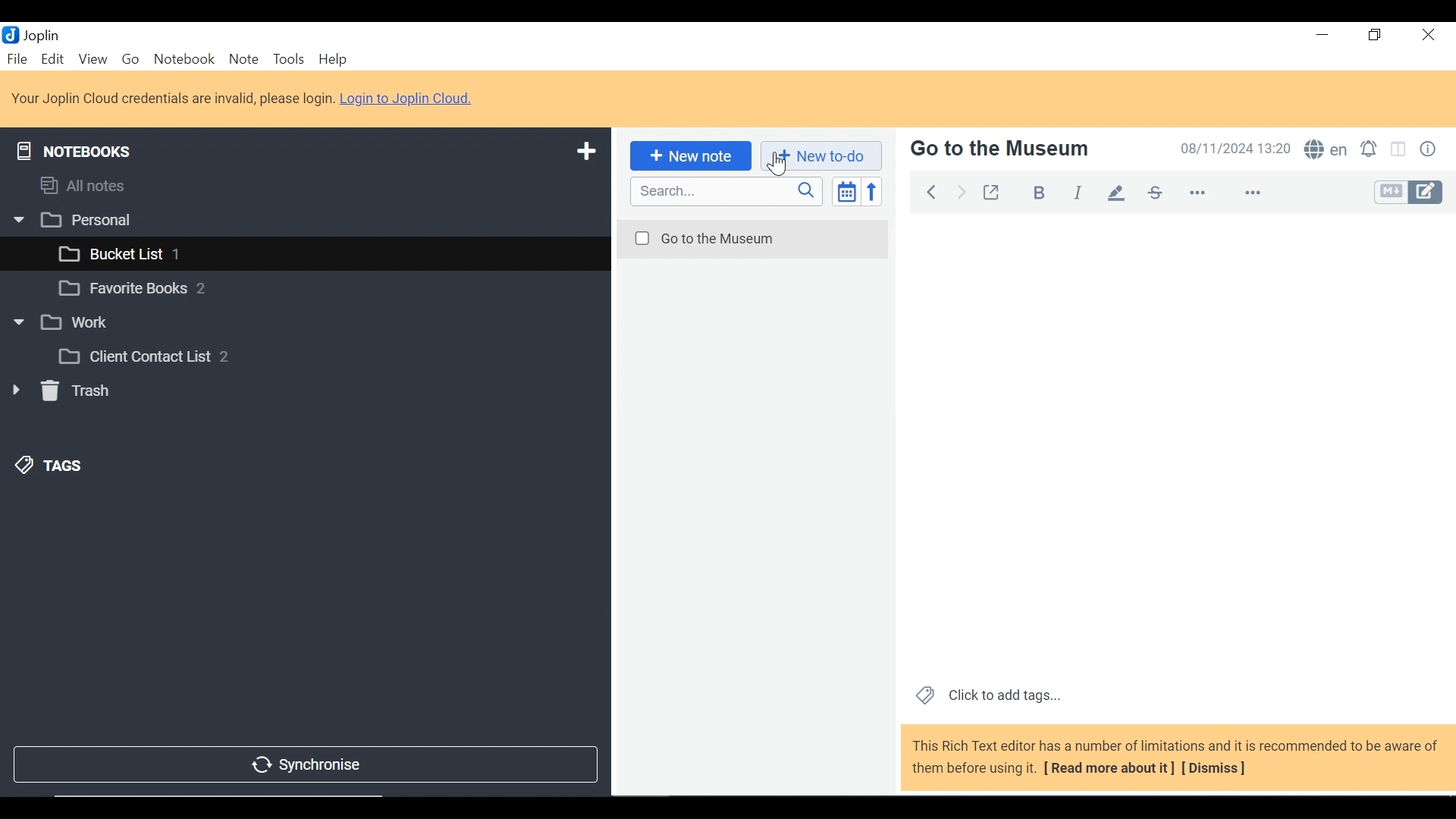 The height and width of the screenshot is (819, 1456). Describe the element at coordinates (1426, 37) in the screenshot. I see `Close` at that location.